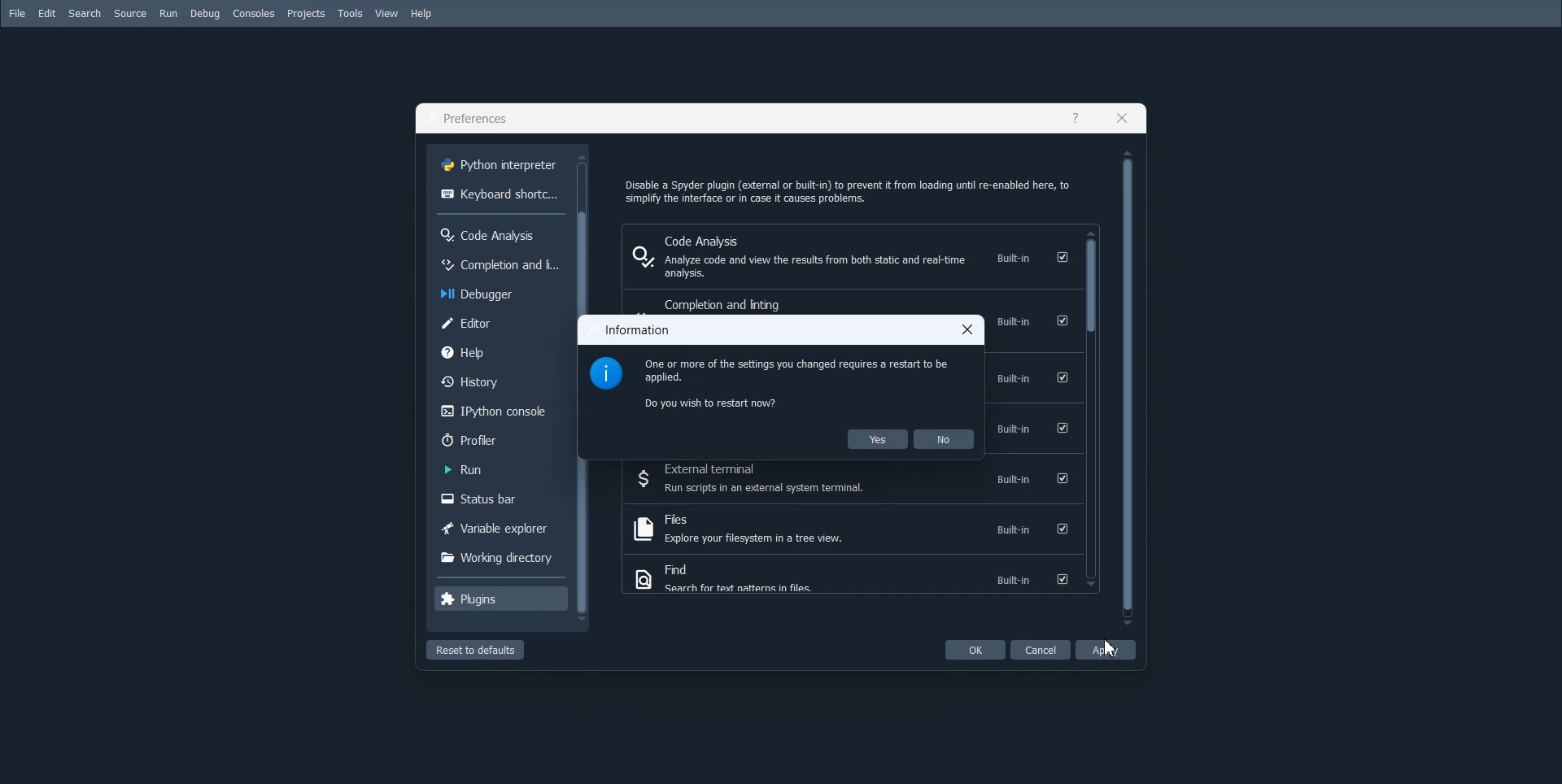  Describe the element at coordinates (497, 469) in the screenshot. I see `Run` at that location.